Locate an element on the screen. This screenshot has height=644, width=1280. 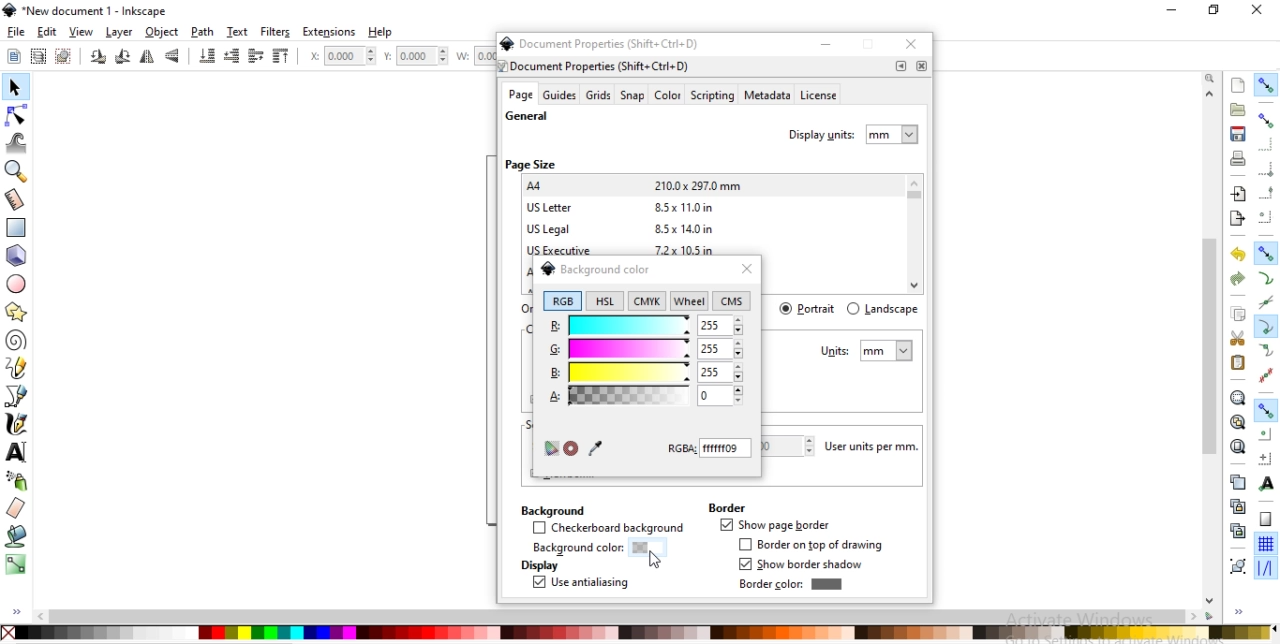
fill bounded areas is located at coordinates (16, 536).